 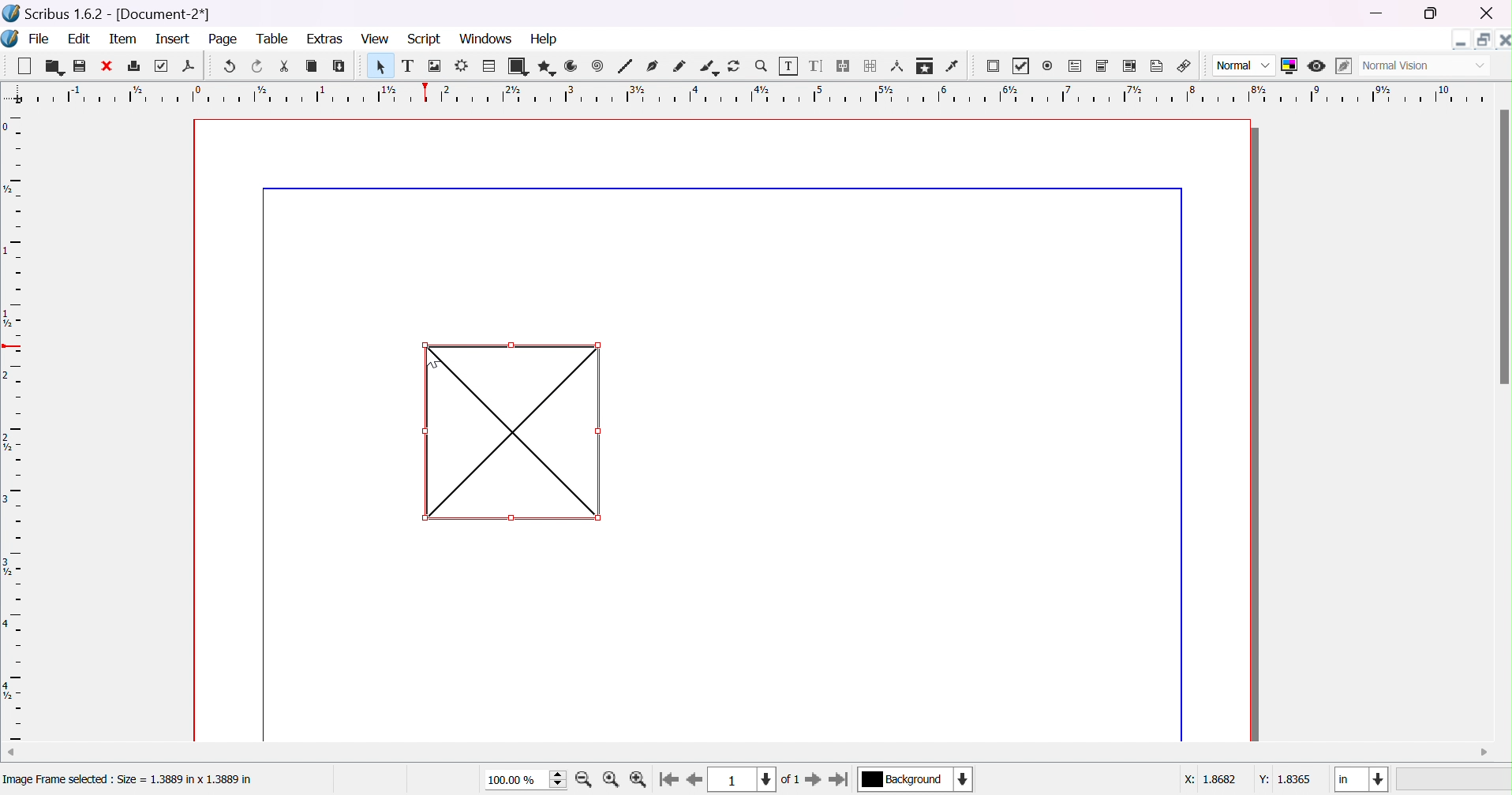 What do you see at coordinates (382, 68) in the screenshot?
I see `select item` at bounding box center [382, 68].